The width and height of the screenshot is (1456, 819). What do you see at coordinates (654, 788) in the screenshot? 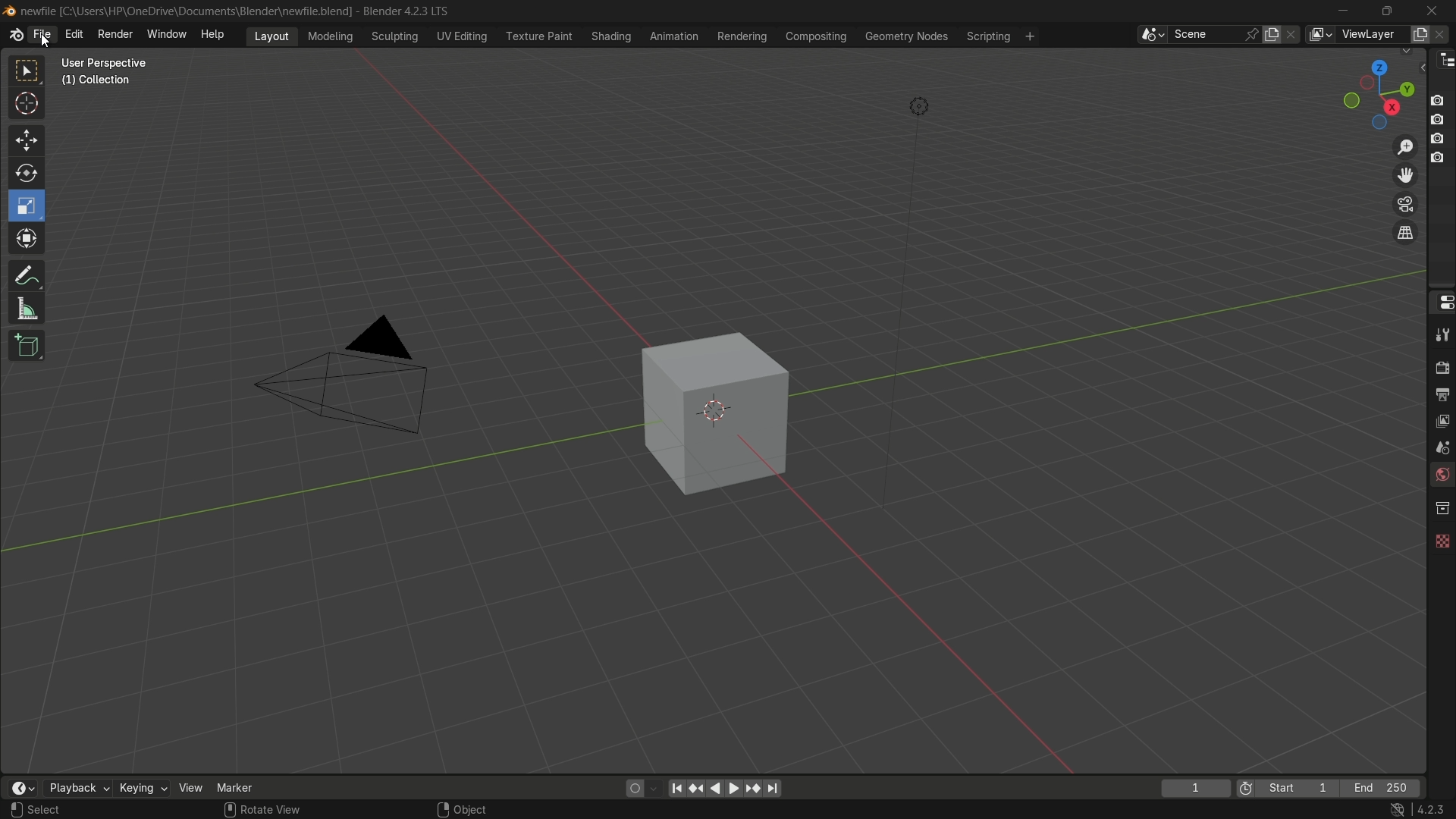
I see `auto keyframe` at bounding box center [654, 788].